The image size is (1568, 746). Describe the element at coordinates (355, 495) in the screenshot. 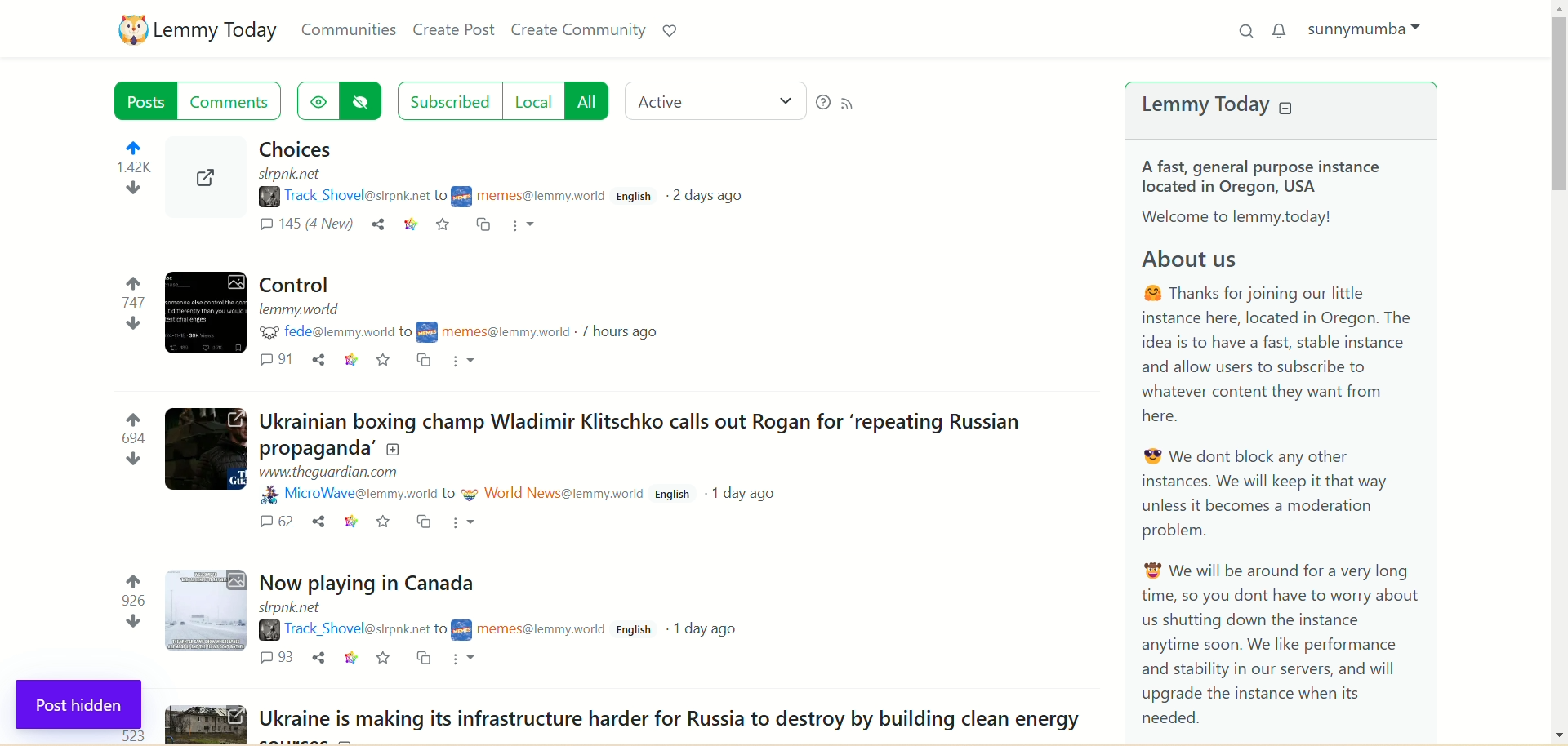

I see `username` at that location.